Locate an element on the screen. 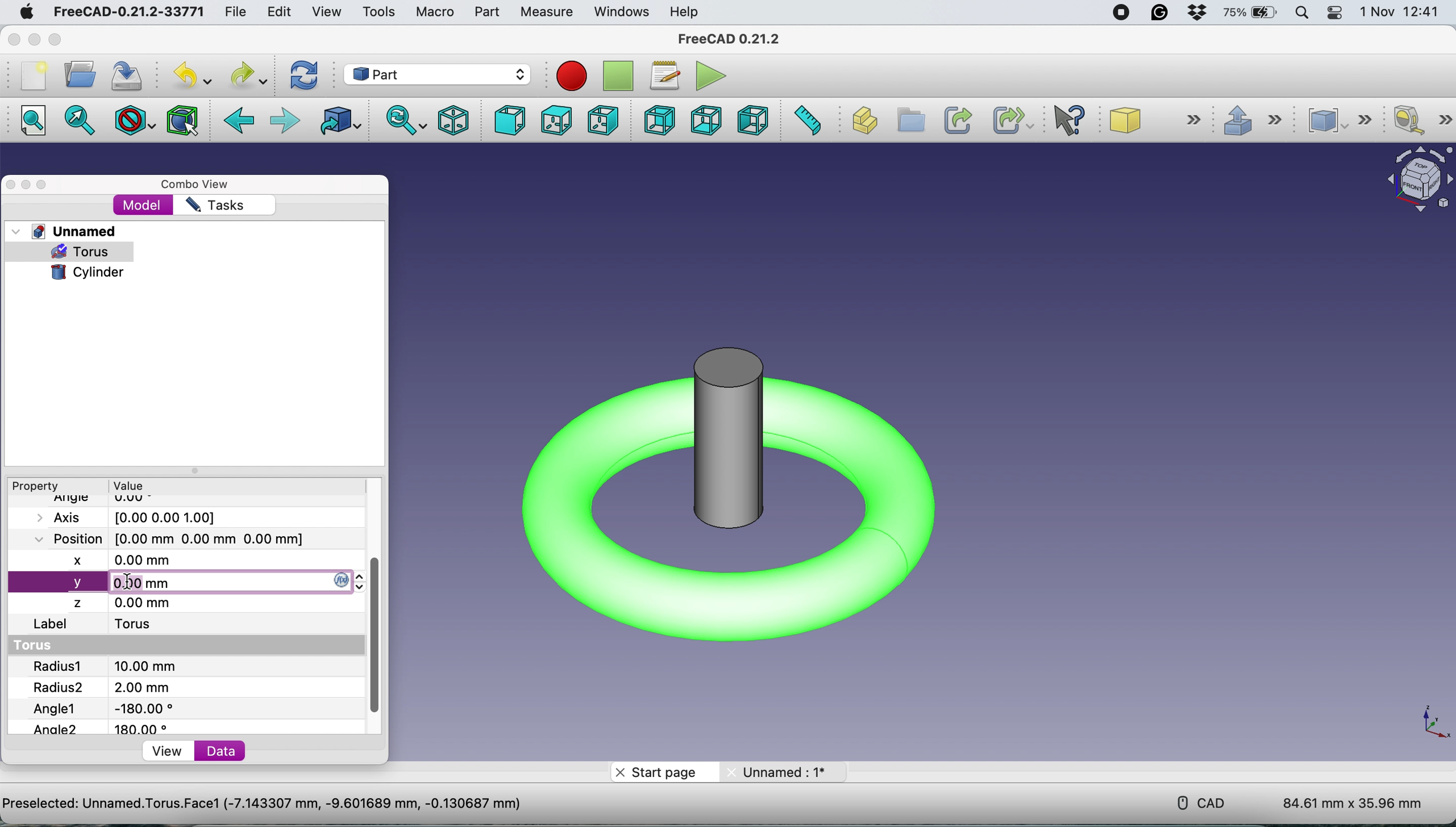 This screenshot has width=1456, height=827. cube is located at coordinates (1160, 120).